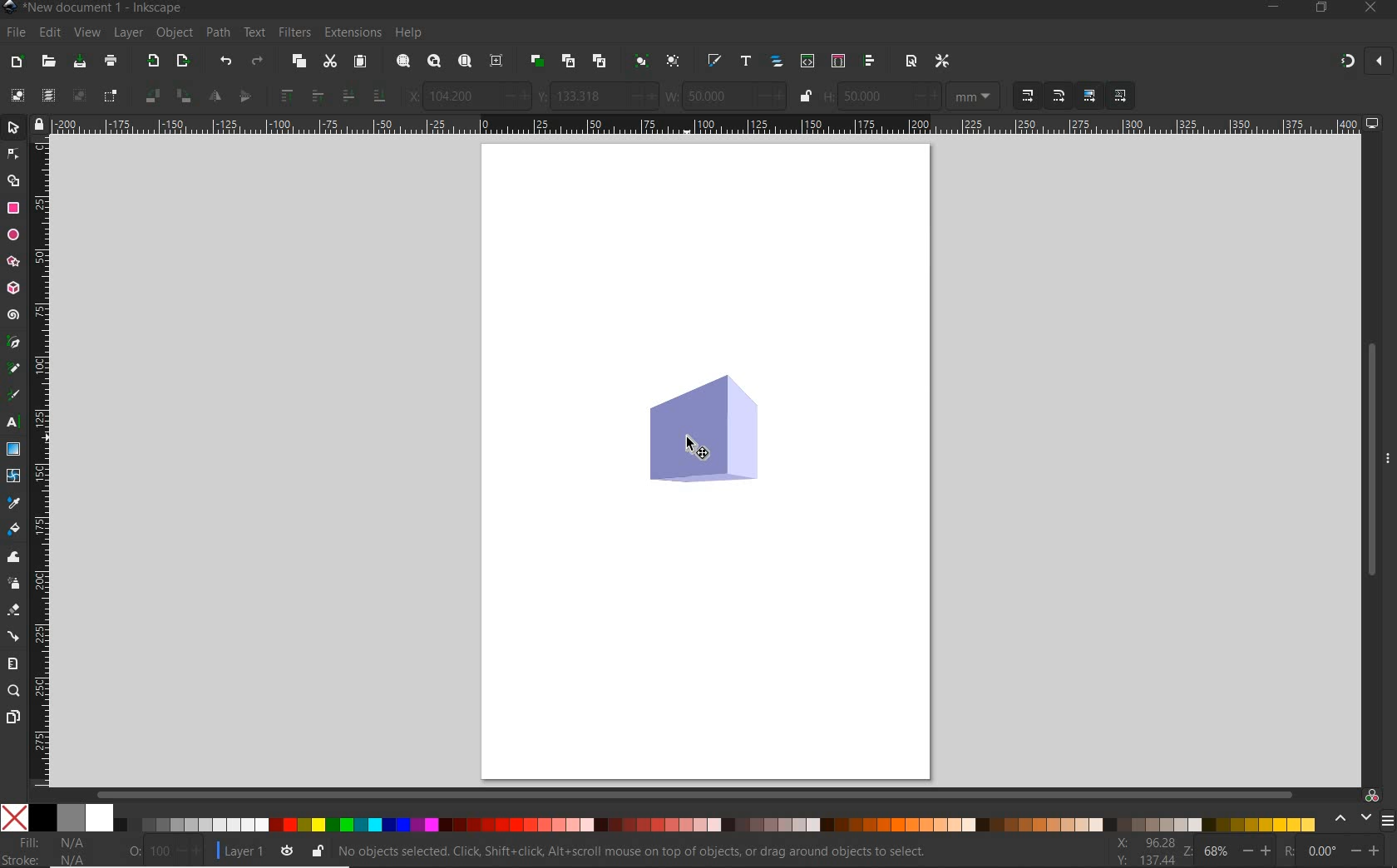  Describe the element at coordinates (329, 61) in the screenshot. I see `cut` at that location.